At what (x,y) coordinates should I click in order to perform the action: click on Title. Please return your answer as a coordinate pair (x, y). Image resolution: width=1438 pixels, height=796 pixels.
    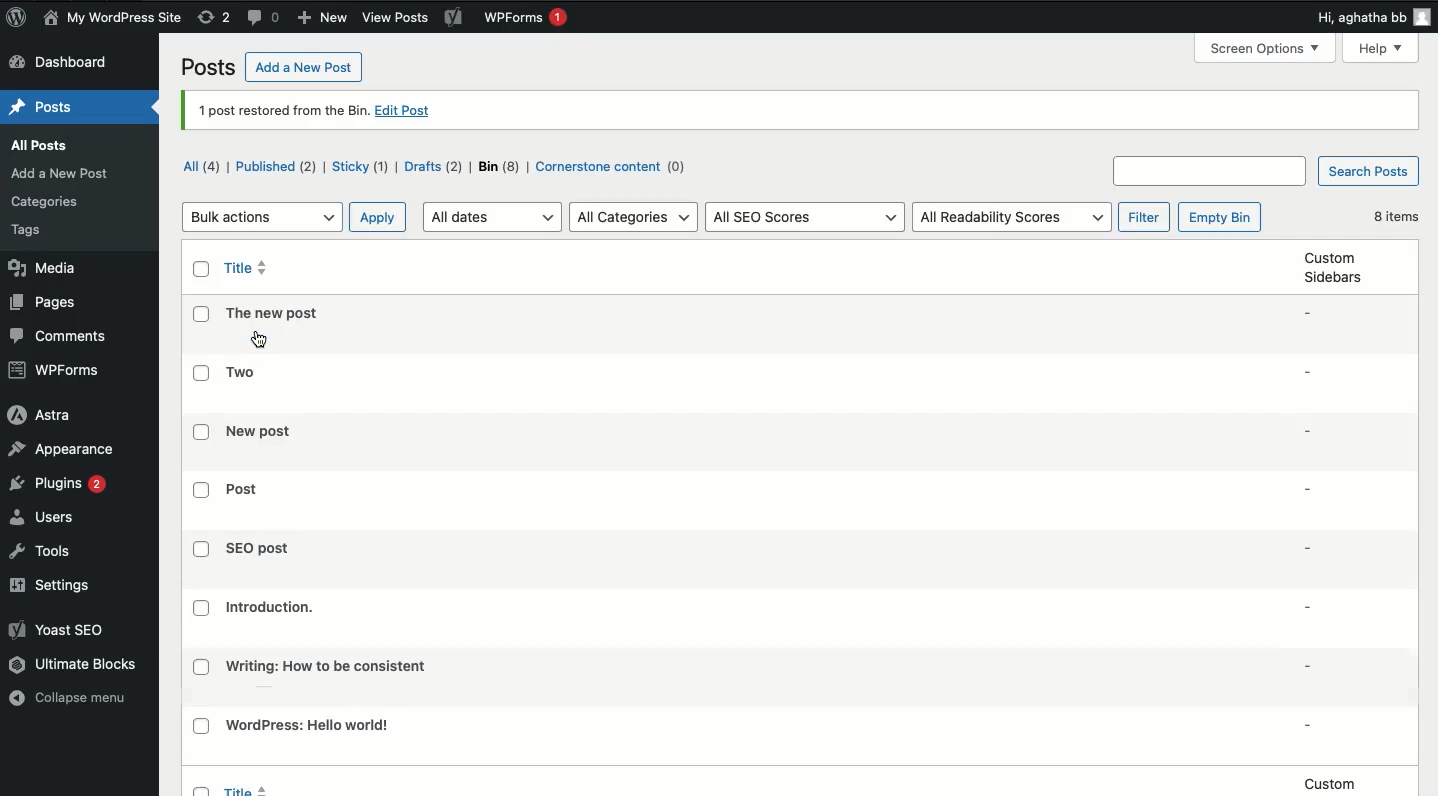
    Looking at the image, I should click on (261, 430).